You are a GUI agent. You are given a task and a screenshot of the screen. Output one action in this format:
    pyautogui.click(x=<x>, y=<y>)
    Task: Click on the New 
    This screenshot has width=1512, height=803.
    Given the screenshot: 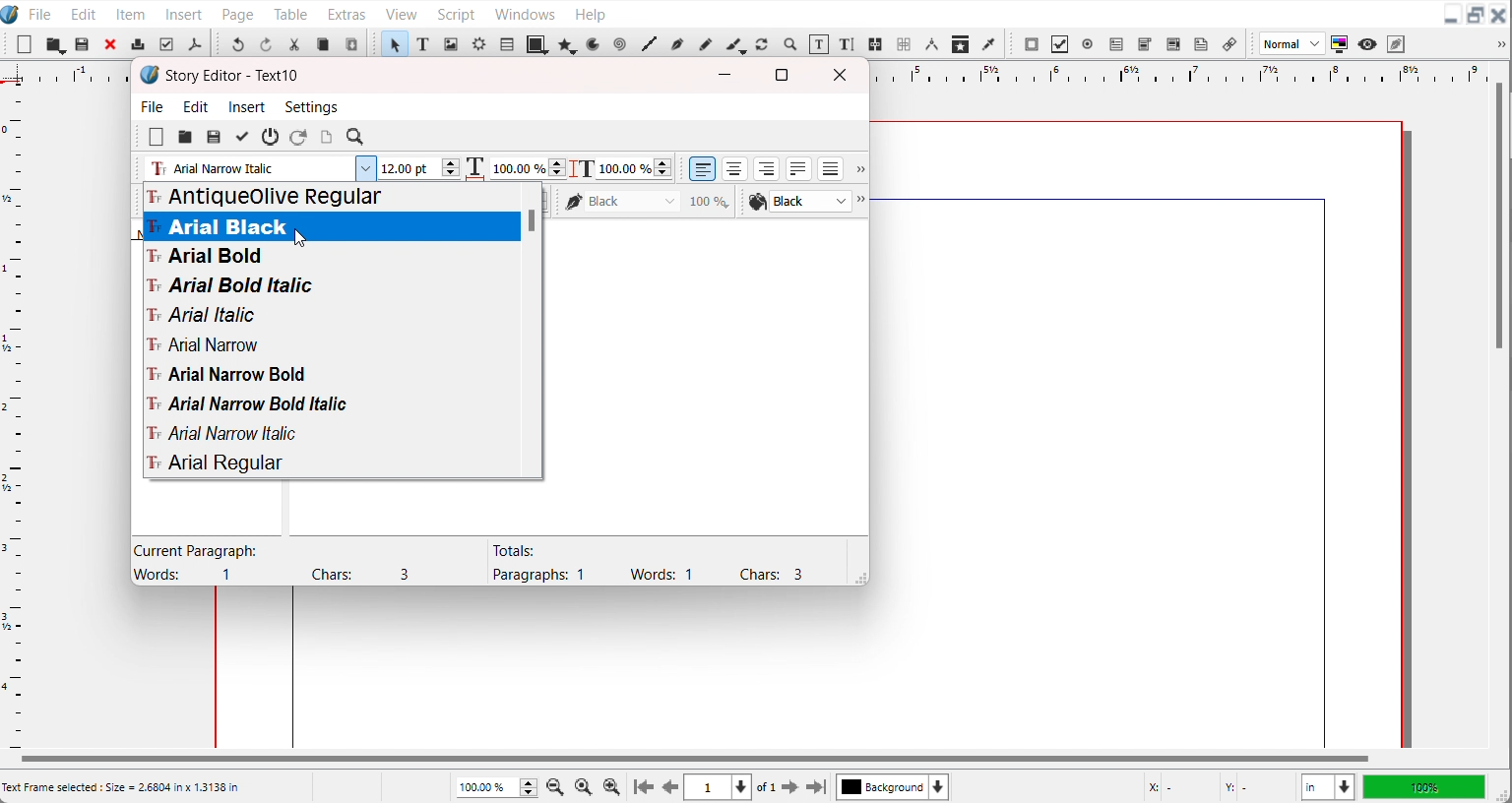 What is the action you would take?
    pyautogui.click(x=157, y=137)
    